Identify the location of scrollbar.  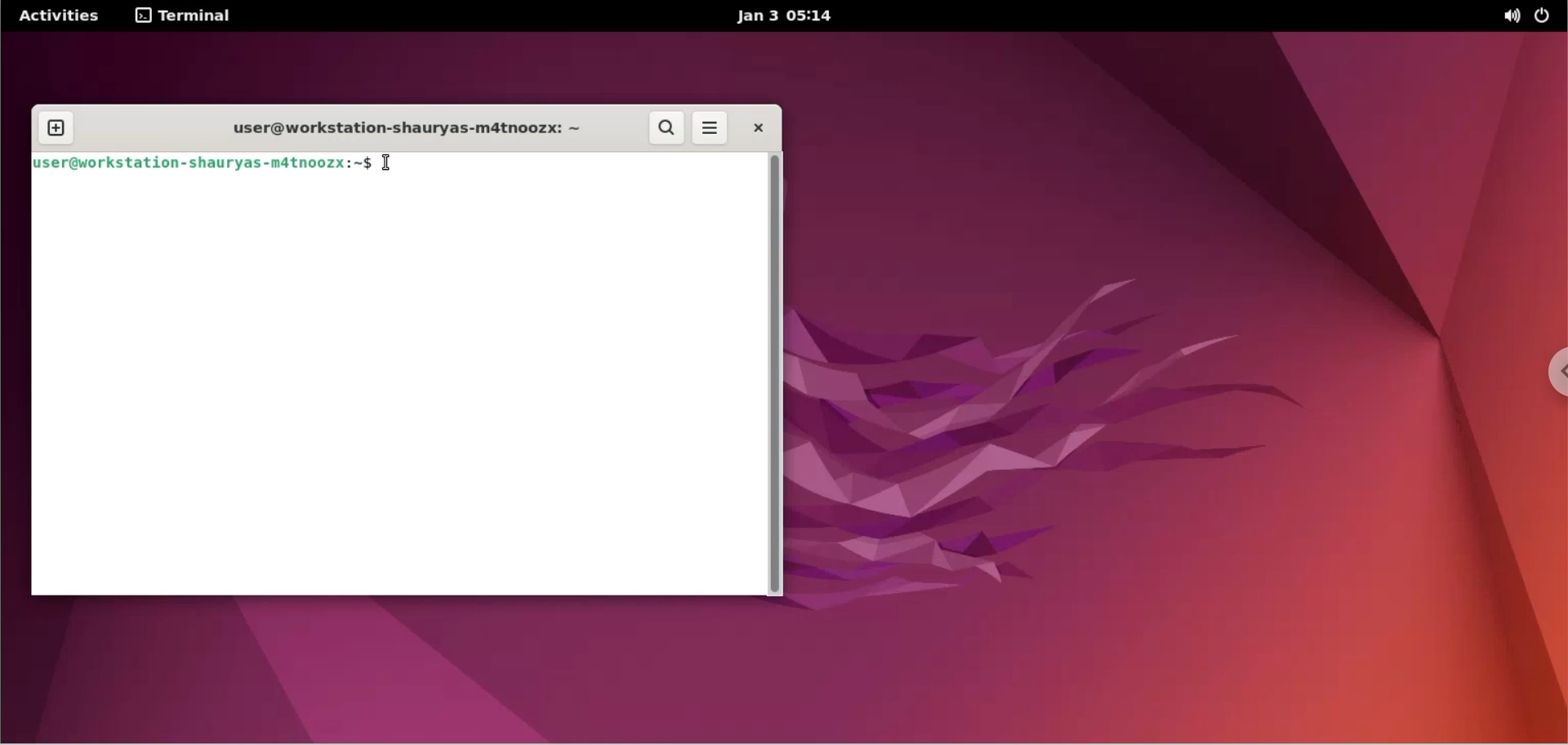
(778, 372).